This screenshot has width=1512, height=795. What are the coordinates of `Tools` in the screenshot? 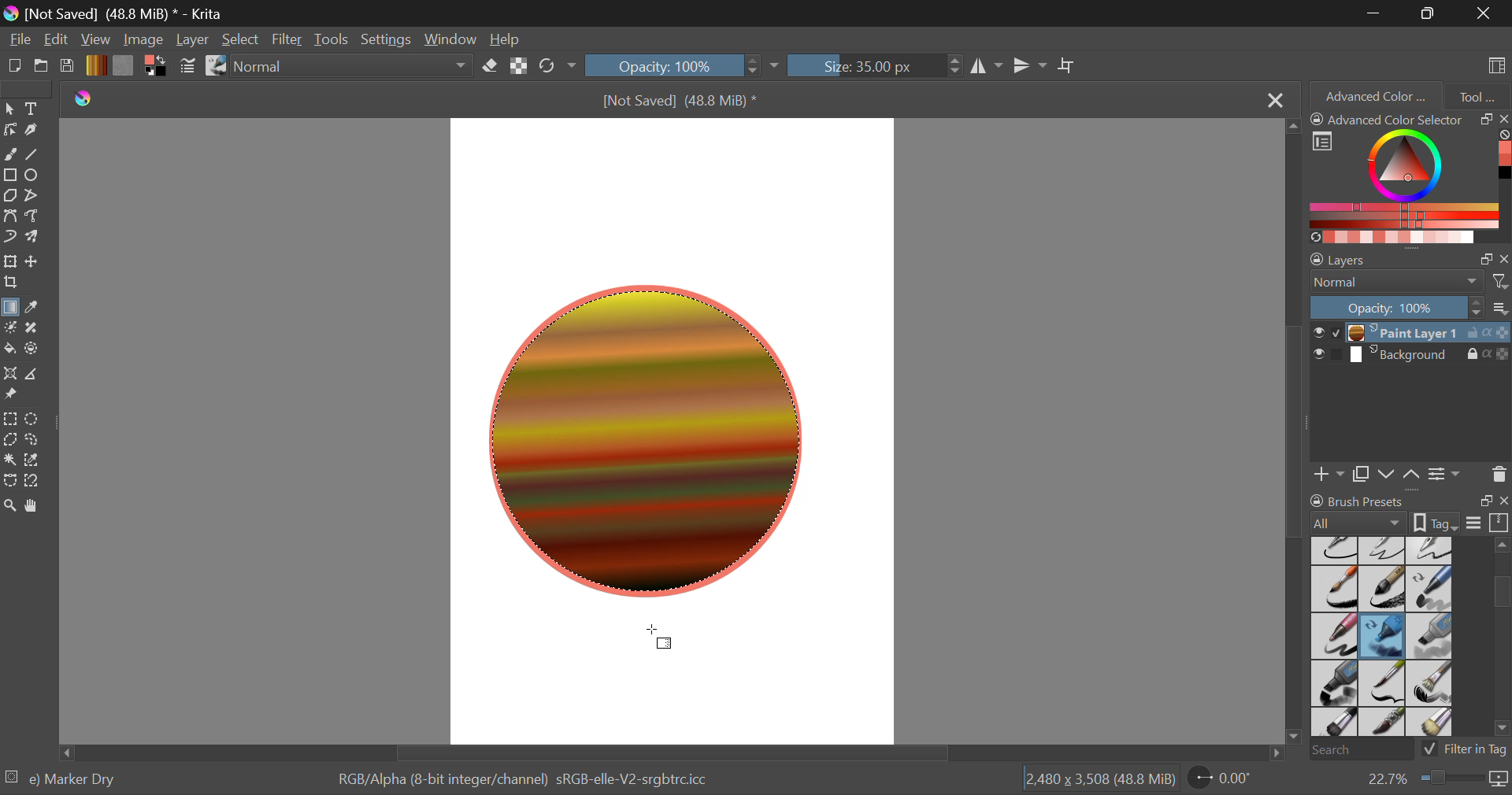 It's located at (332, 40).